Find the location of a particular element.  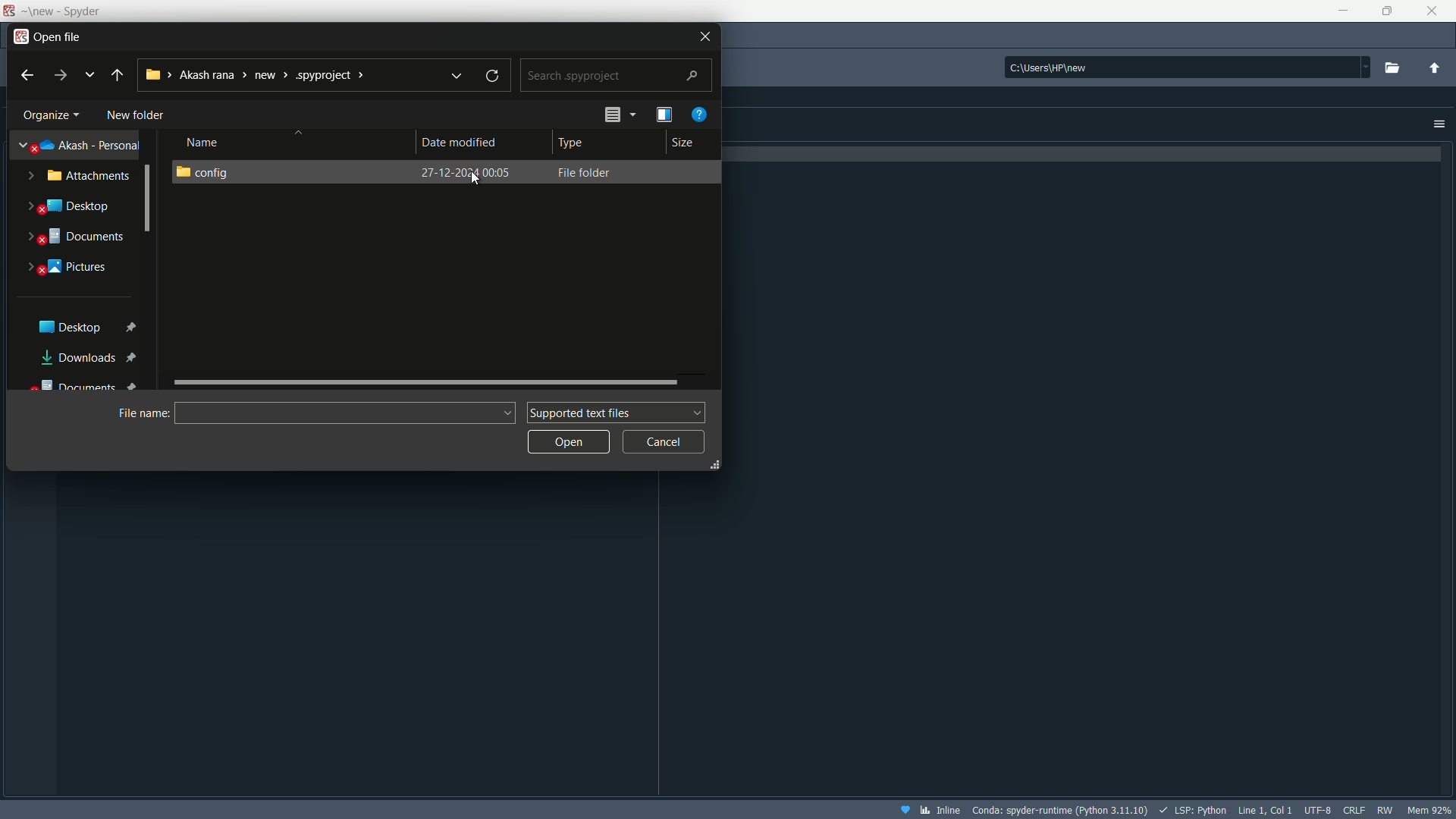

directory is located at coordinates (1188, 65).